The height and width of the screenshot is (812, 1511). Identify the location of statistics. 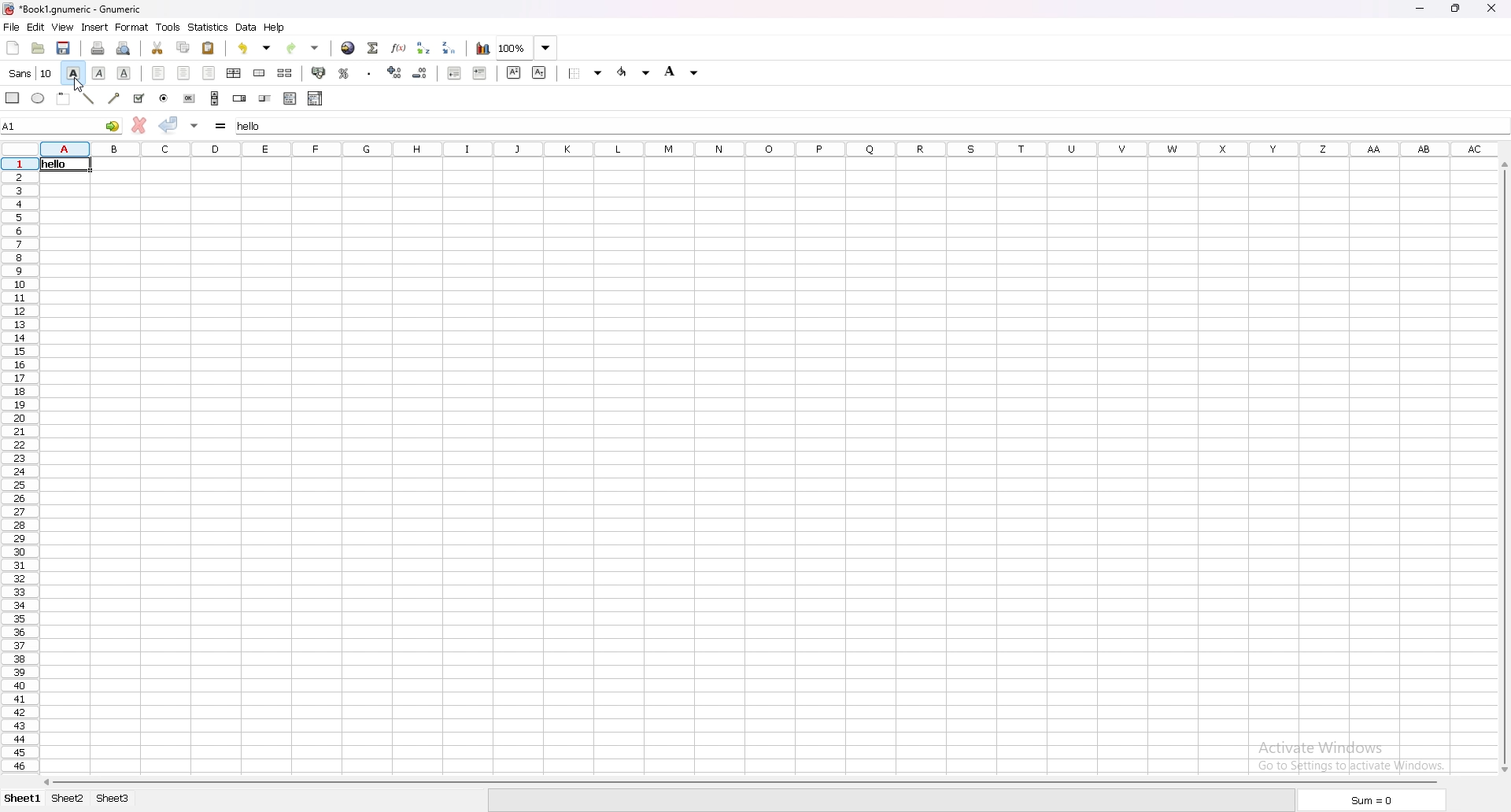
(207, 28).